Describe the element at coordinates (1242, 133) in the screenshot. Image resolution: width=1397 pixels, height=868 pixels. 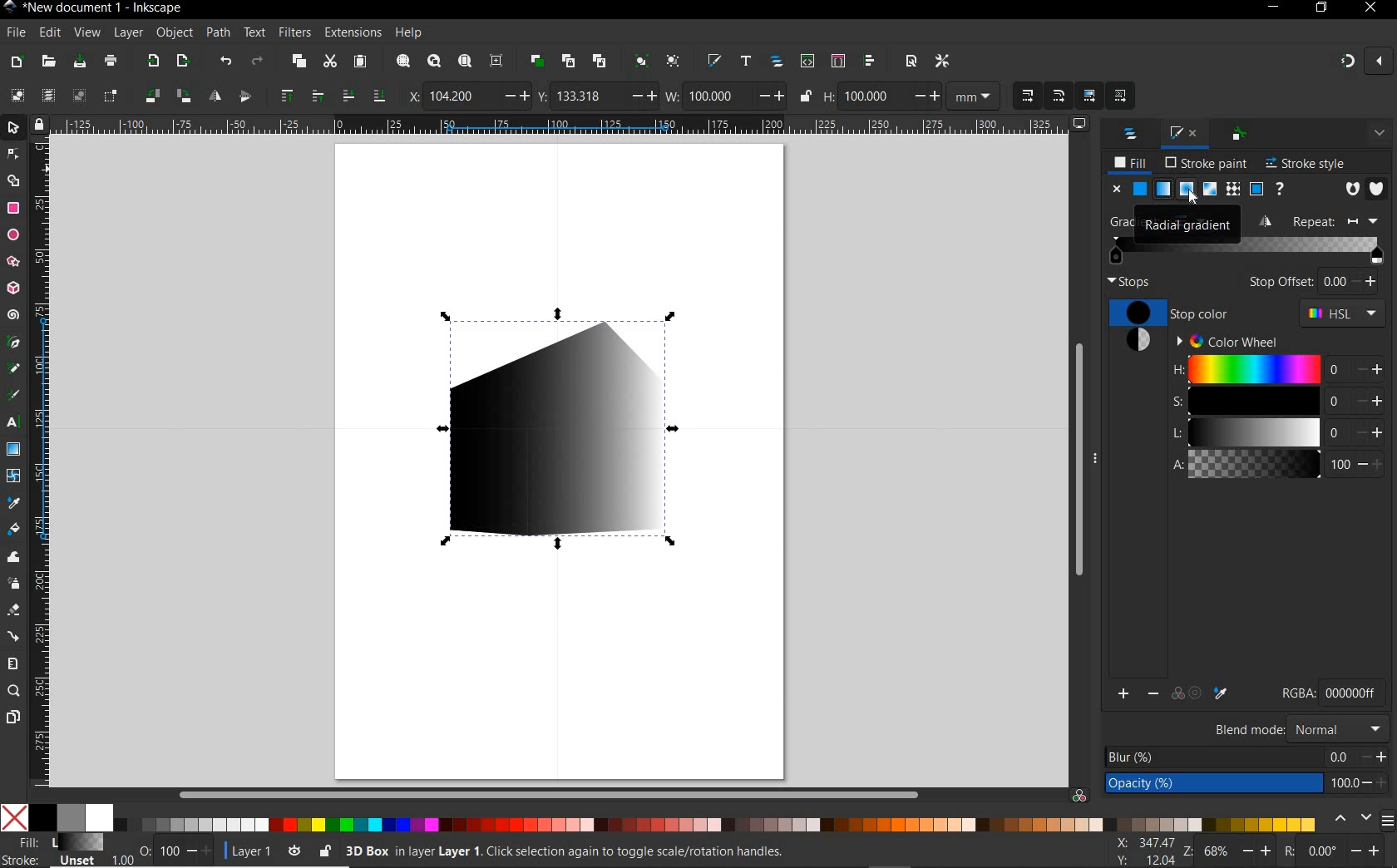
I see `OBJECT PROPERTIES` at that location.